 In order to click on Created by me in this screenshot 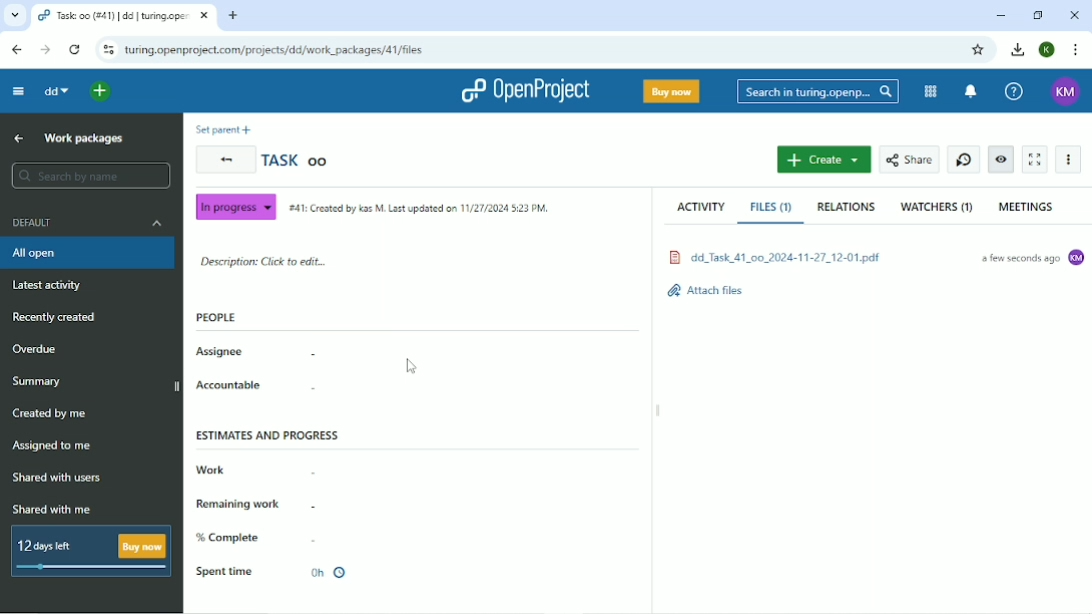, I will do `click(50, 413)`.